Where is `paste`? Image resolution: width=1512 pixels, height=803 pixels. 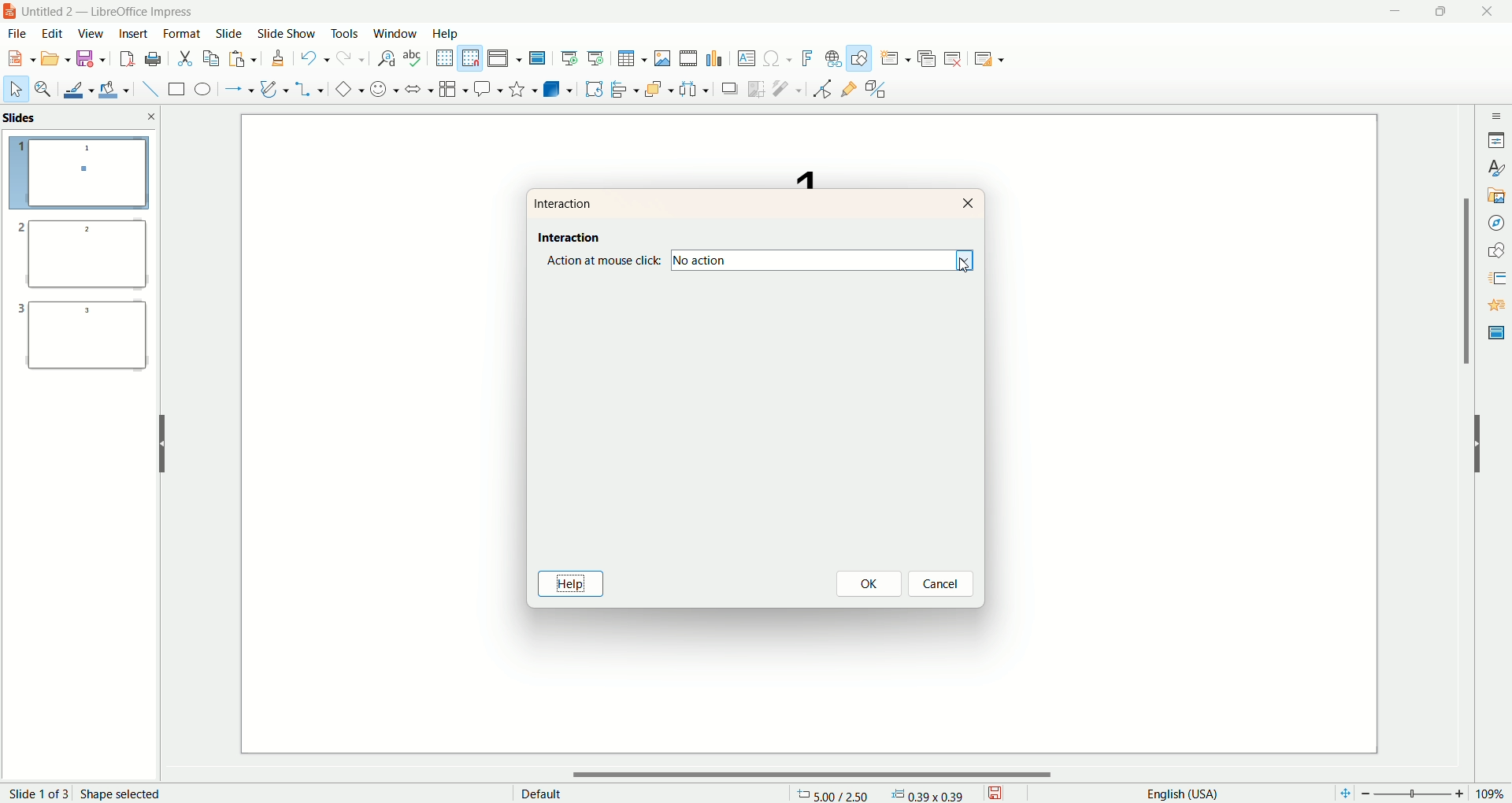 paste is located at coordinates (244, 60).